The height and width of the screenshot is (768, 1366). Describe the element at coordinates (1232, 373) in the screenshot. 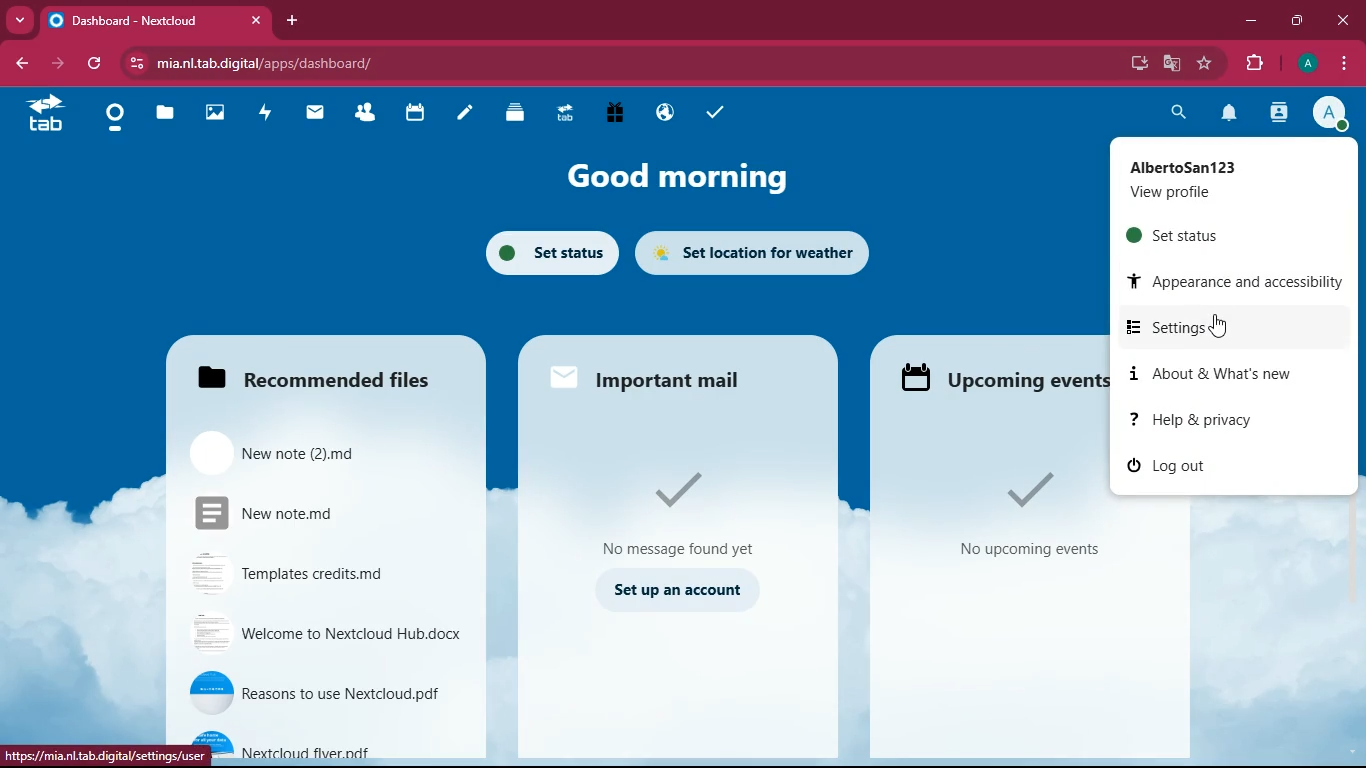

I see `about & what's new` at that location.